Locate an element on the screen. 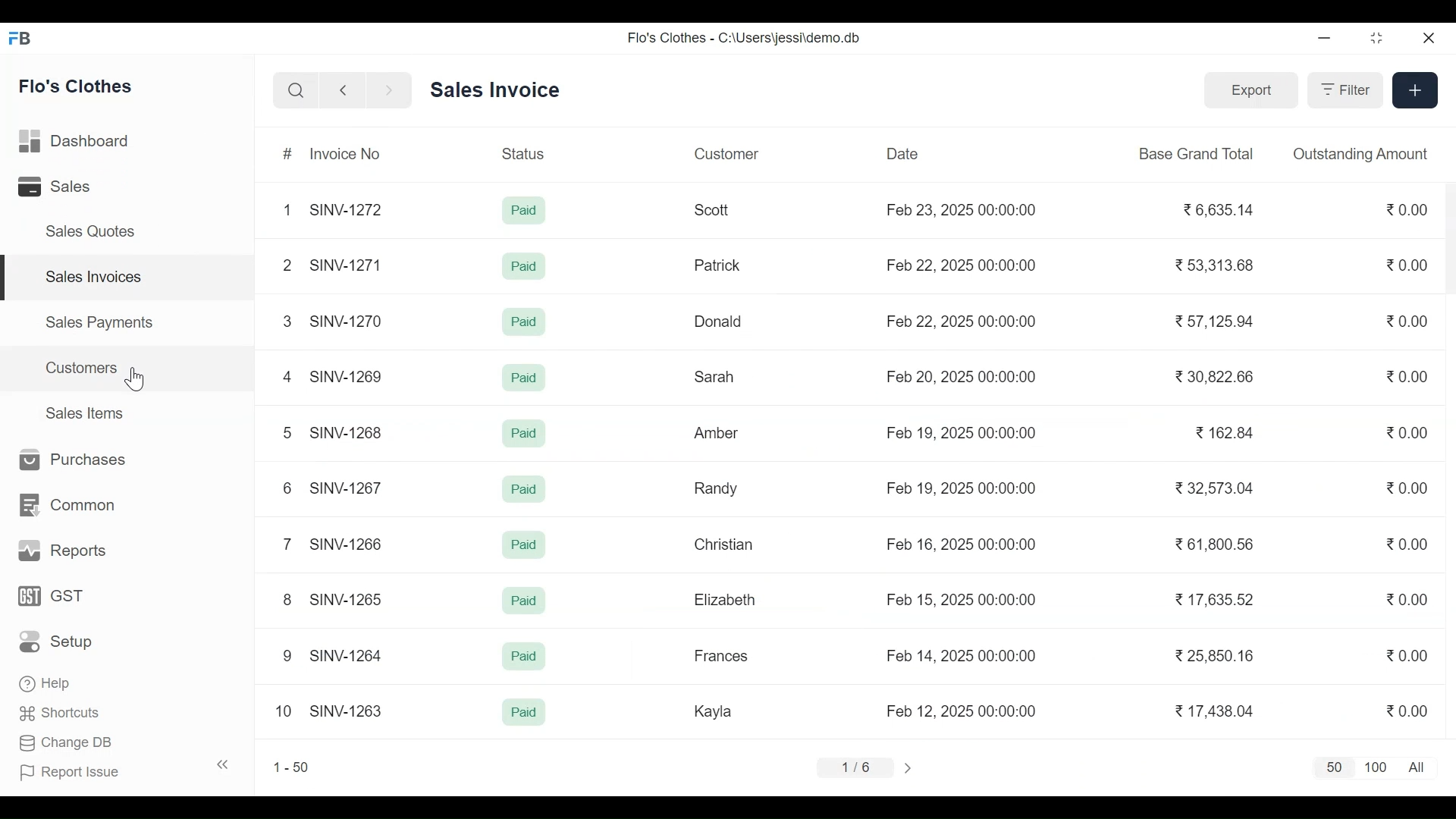 The height and width of the screenshot is (819, 1456). 1 is located at coordinates (287, 210).